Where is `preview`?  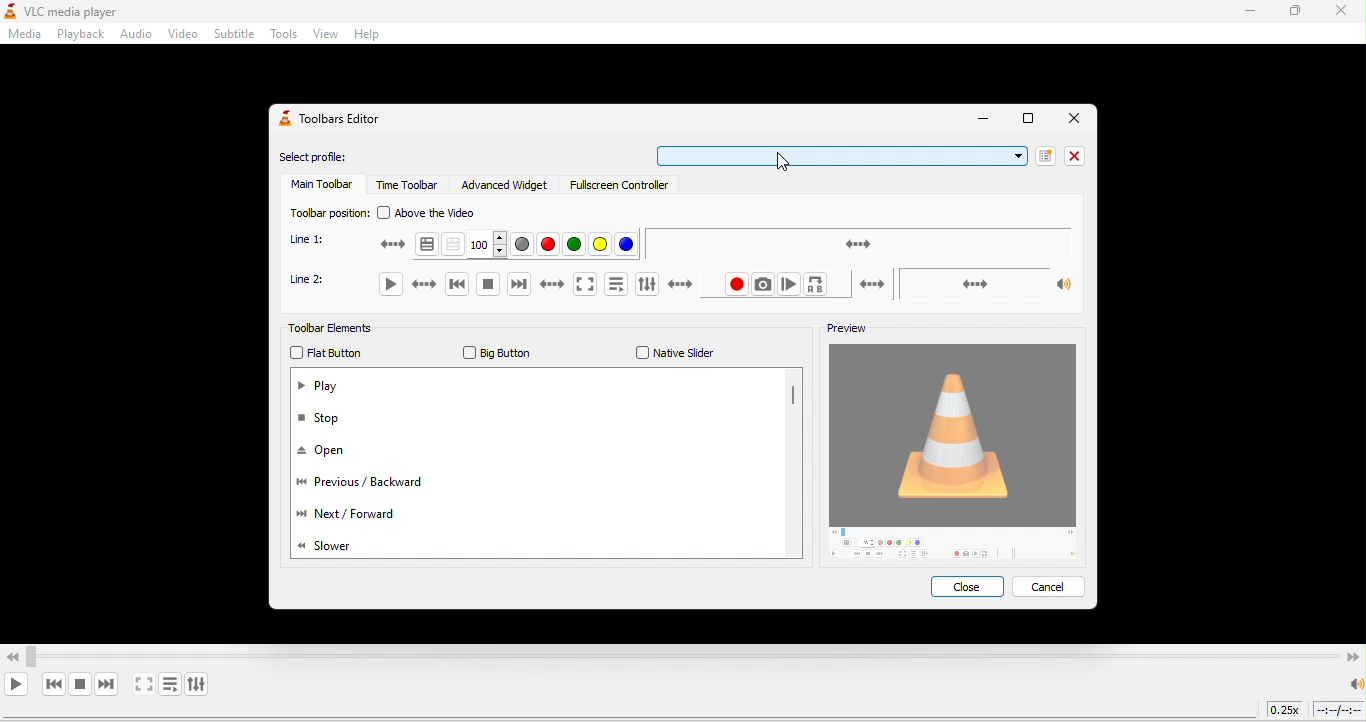 preview is located at coordinates (841, 330).